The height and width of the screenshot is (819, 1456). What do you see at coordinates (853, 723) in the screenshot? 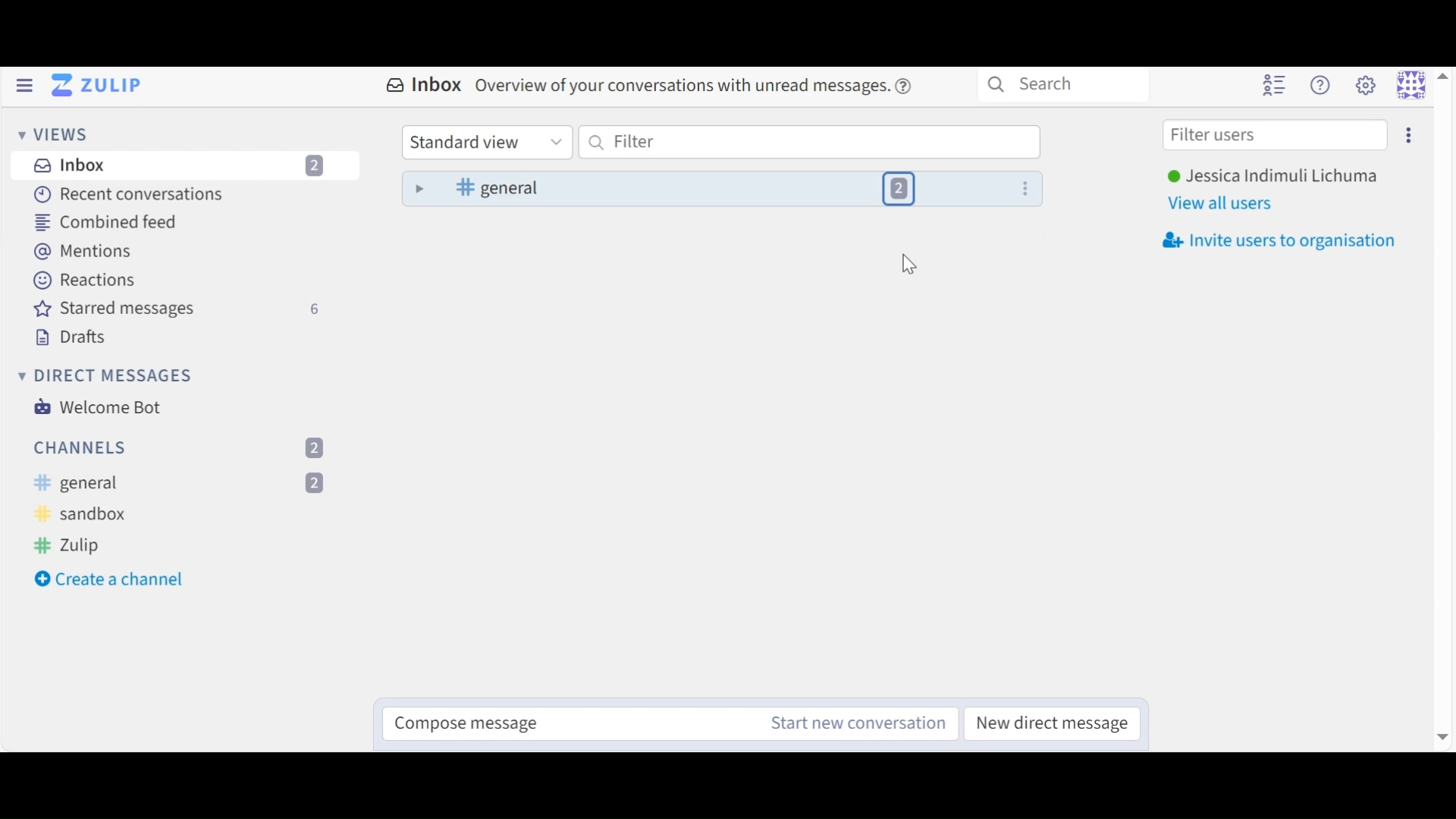
I see `New Channel message` at bounding box center [853, 723].